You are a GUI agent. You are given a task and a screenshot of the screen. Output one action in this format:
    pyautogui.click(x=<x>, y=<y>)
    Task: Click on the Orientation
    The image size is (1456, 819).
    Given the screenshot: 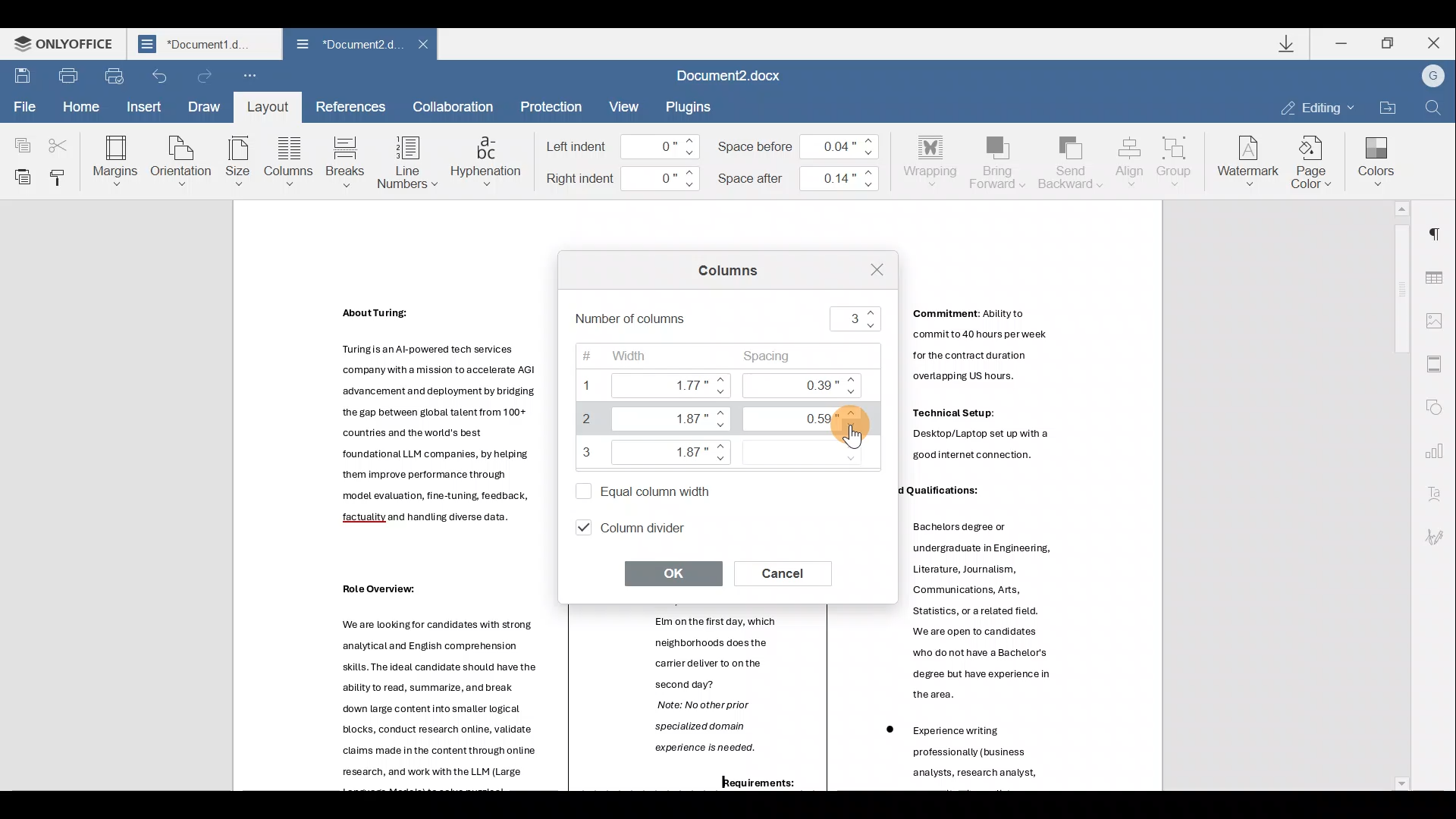 What is the action you would take?
    pyautogui.click(x=182, y=159)
    